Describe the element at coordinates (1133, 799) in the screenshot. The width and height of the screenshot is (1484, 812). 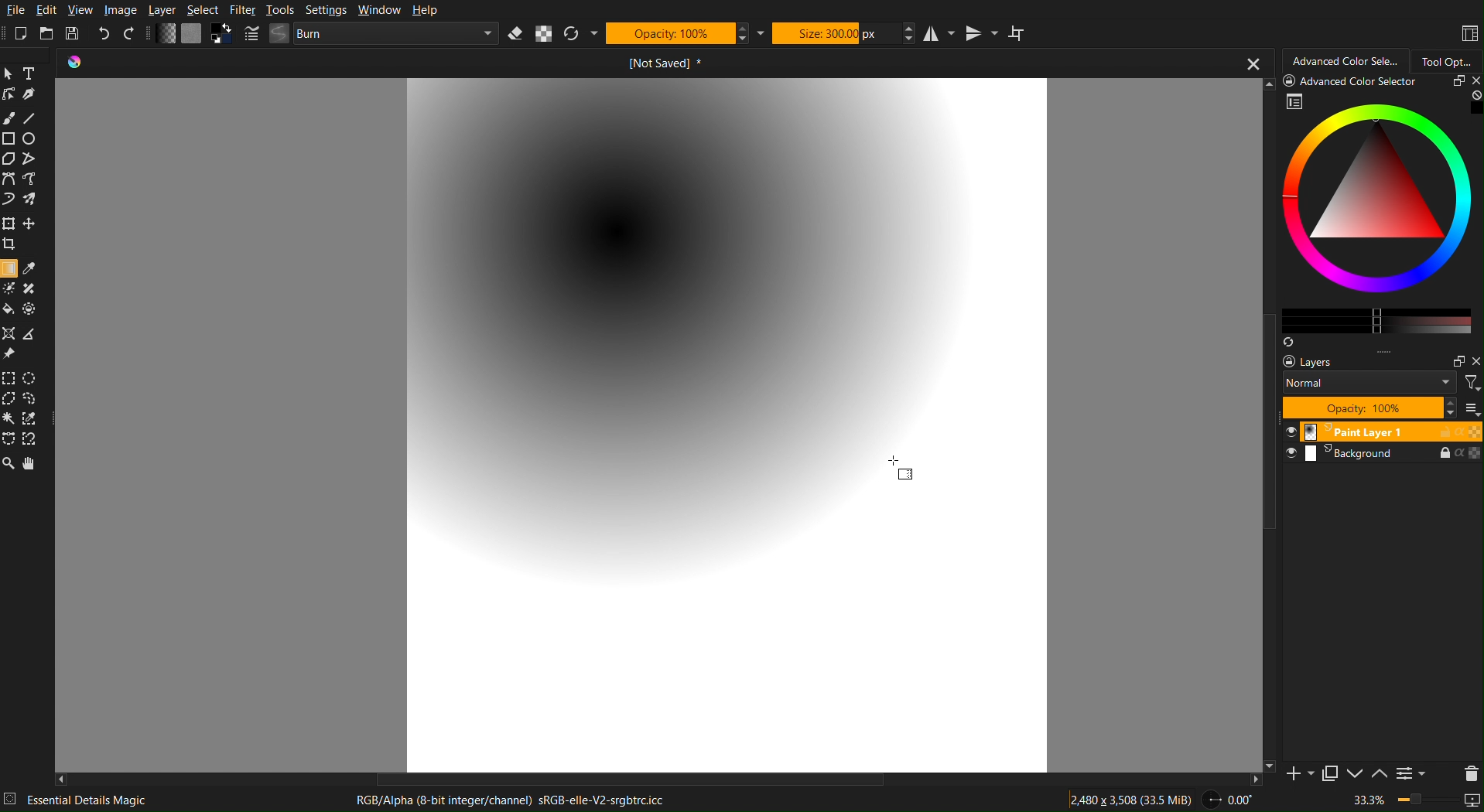
I see `Dimensions` at that location.